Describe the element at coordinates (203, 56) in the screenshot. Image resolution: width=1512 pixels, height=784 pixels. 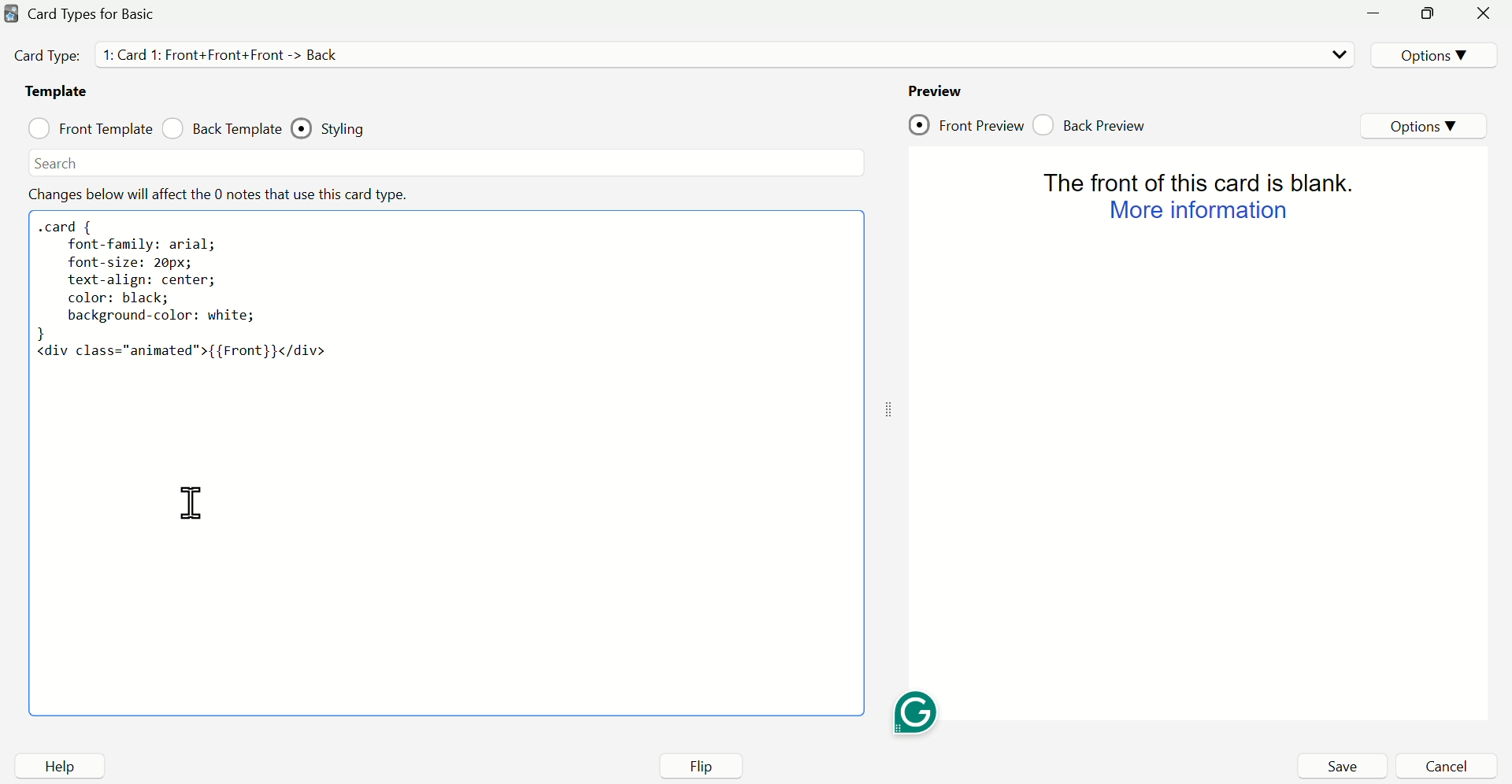
I see `Card Type` at that location.